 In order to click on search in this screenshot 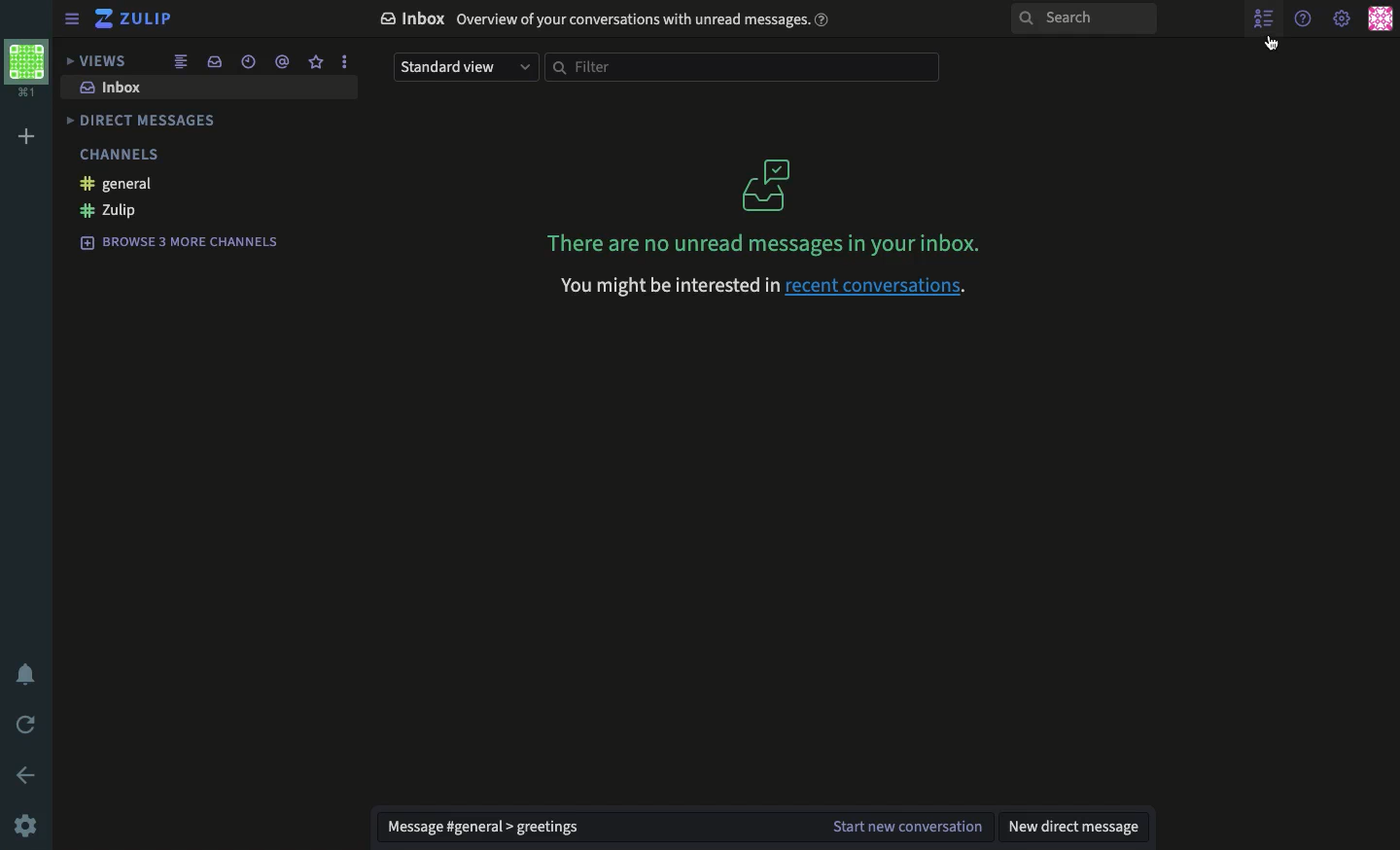, I will do `click(1085, 19)`.